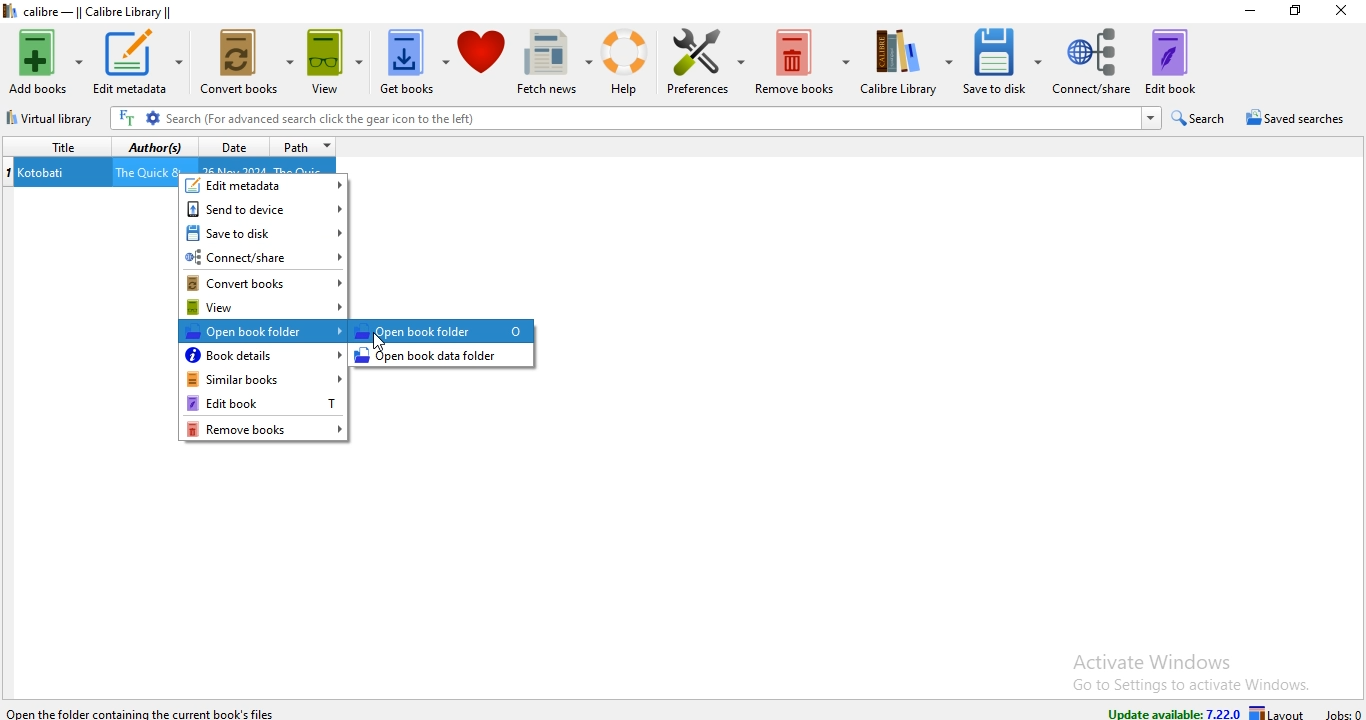 The image size is (1366, 720). I want to click on remove books, so click(802, 60).